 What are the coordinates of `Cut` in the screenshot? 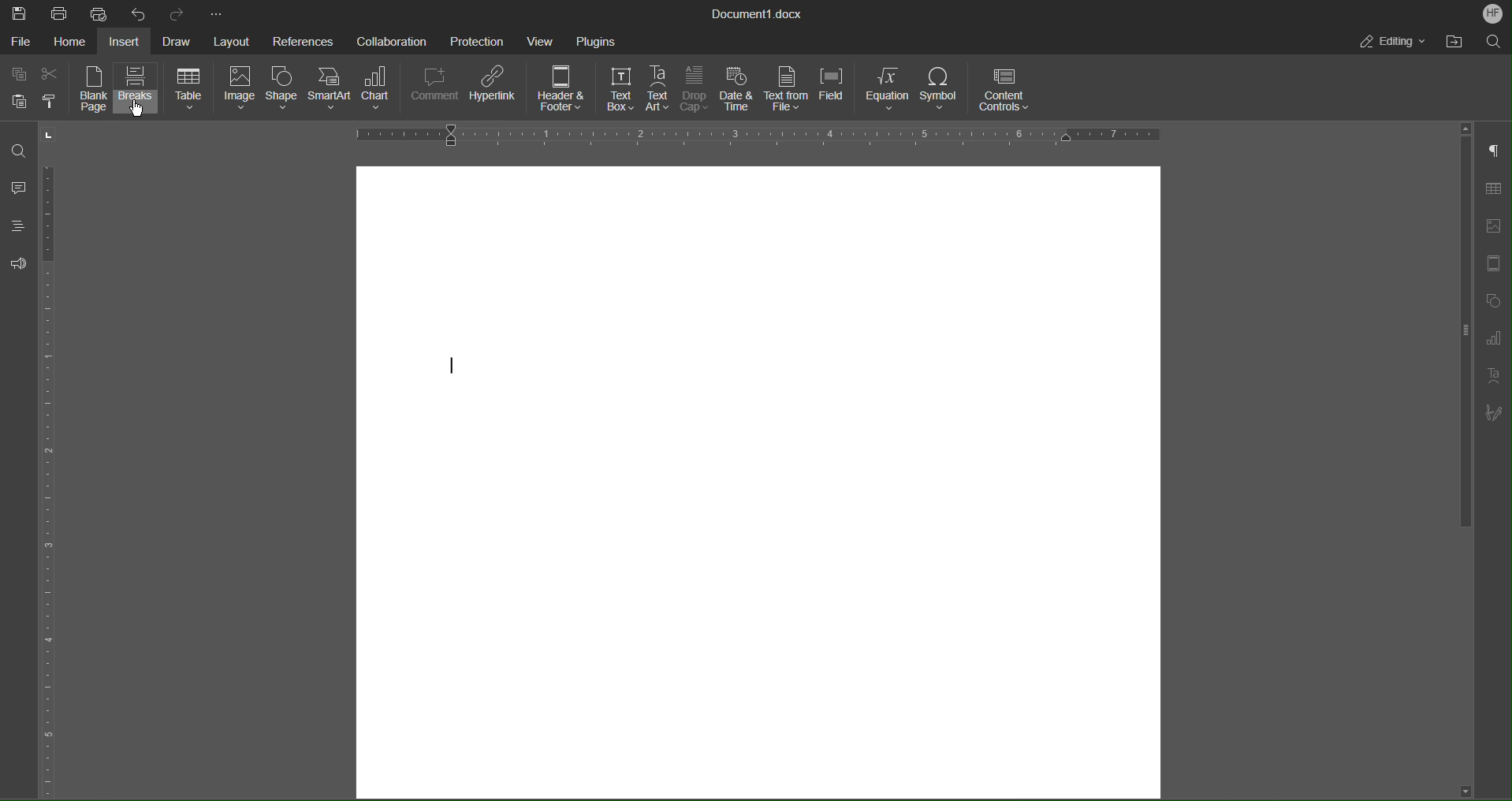 It's located at (51, 74).